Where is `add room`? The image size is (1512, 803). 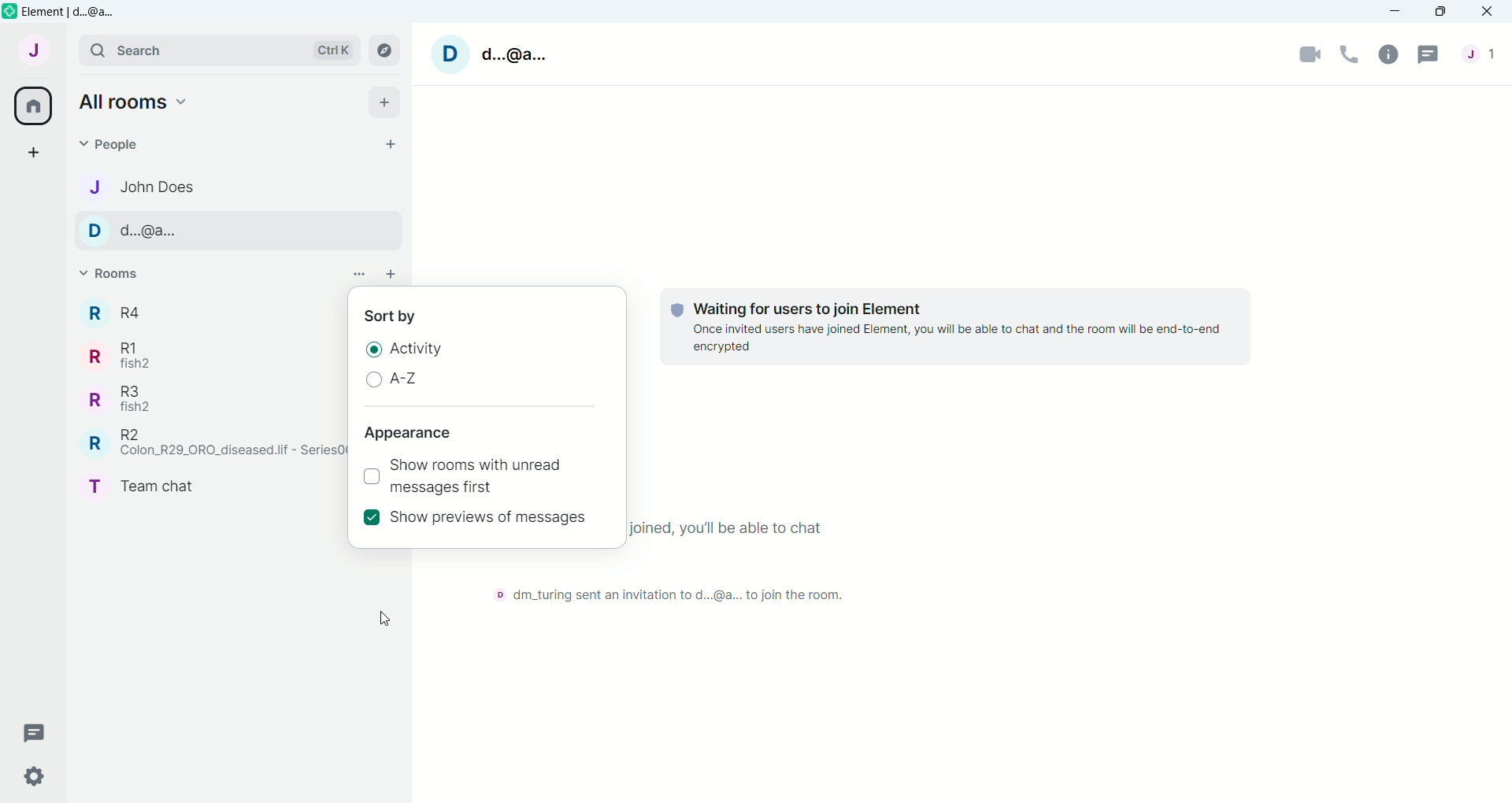 add room is located at coordinates (391, 273).